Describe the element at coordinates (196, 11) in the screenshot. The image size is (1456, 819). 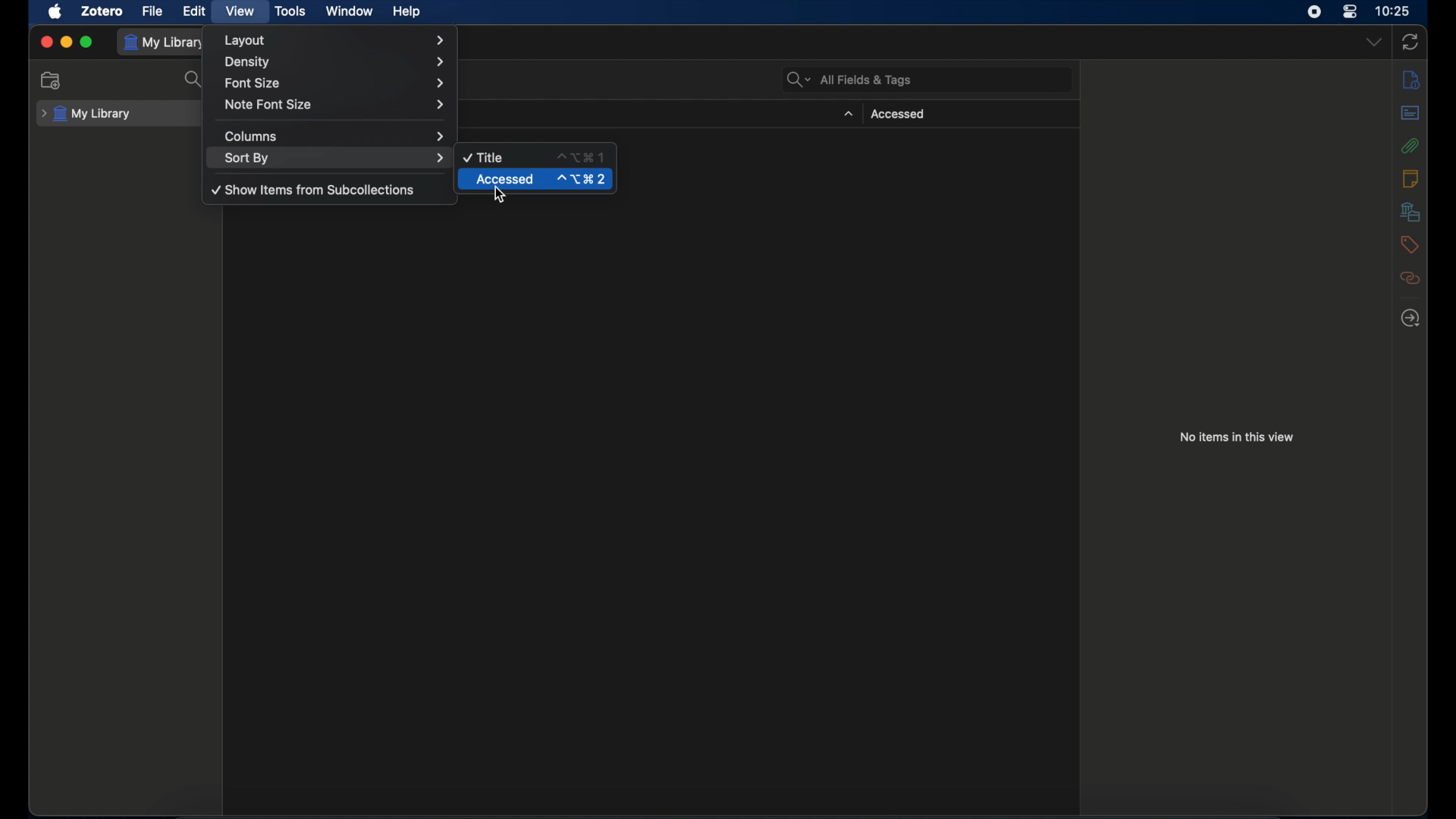
I see `edit` at that location.